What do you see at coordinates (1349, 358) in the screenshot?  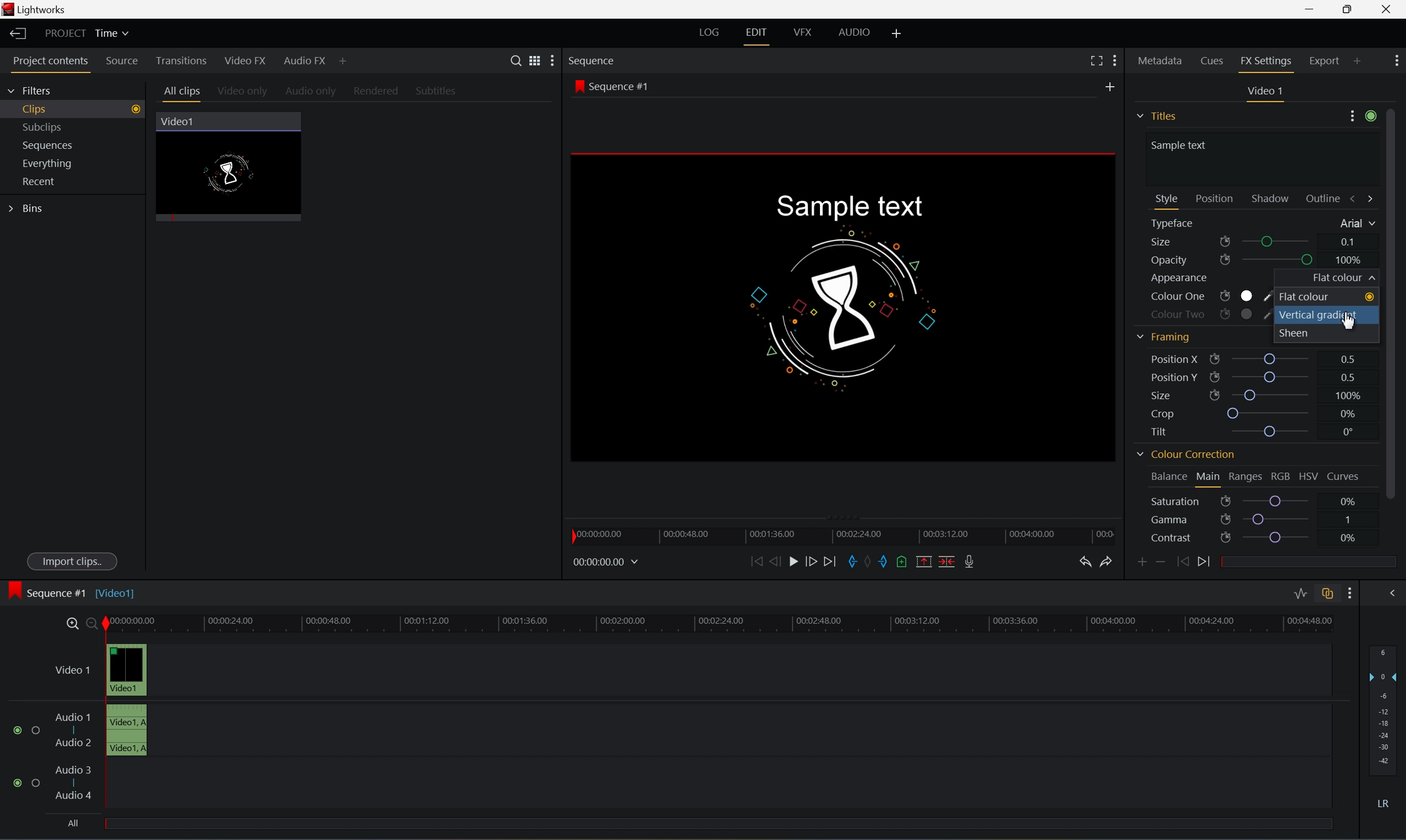 I see `0.5` at bounding box center [1349, 358].